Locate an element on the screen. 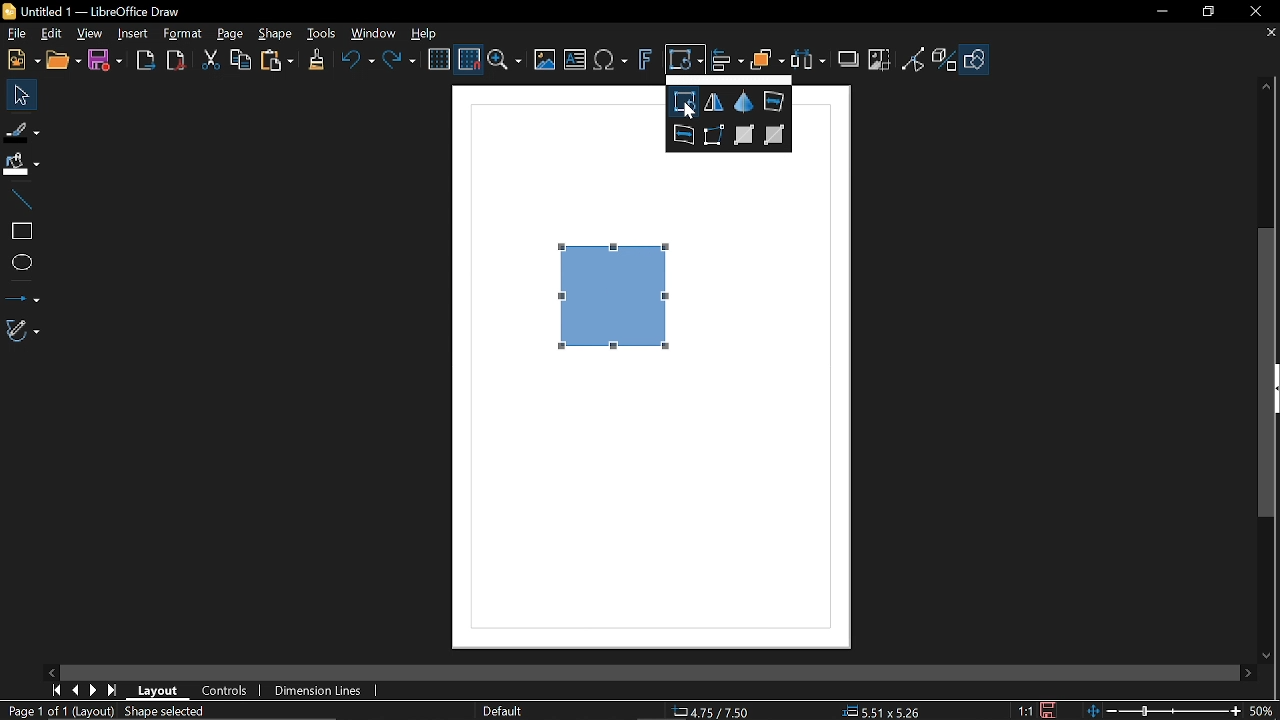 This screenshot has width=1280, height=720. Untitled 1 -- LibreOffice Draw is located at coordinates (107, 10).